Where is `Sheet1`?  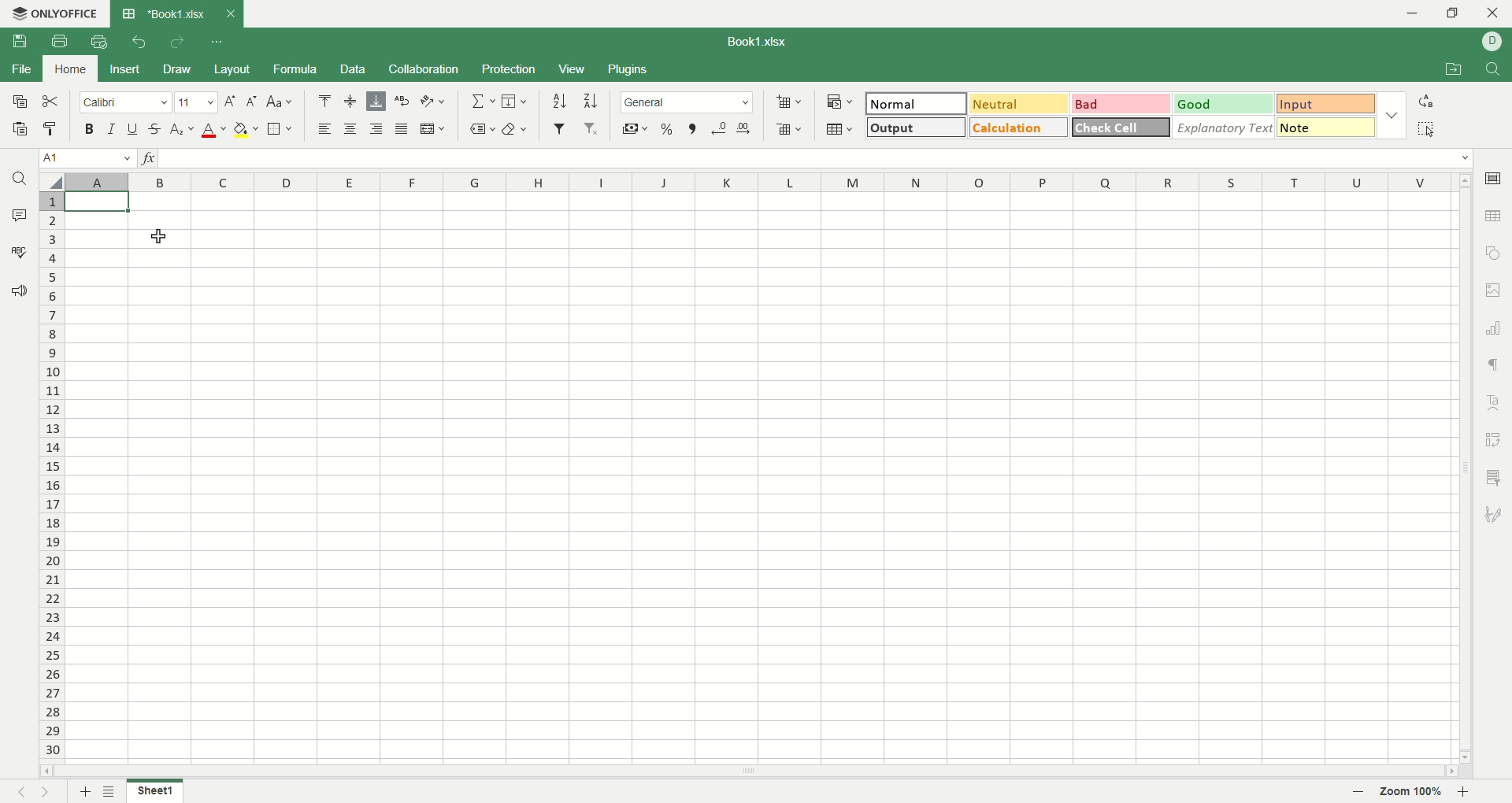
Sheet1 is located at coordinates (154, 793).